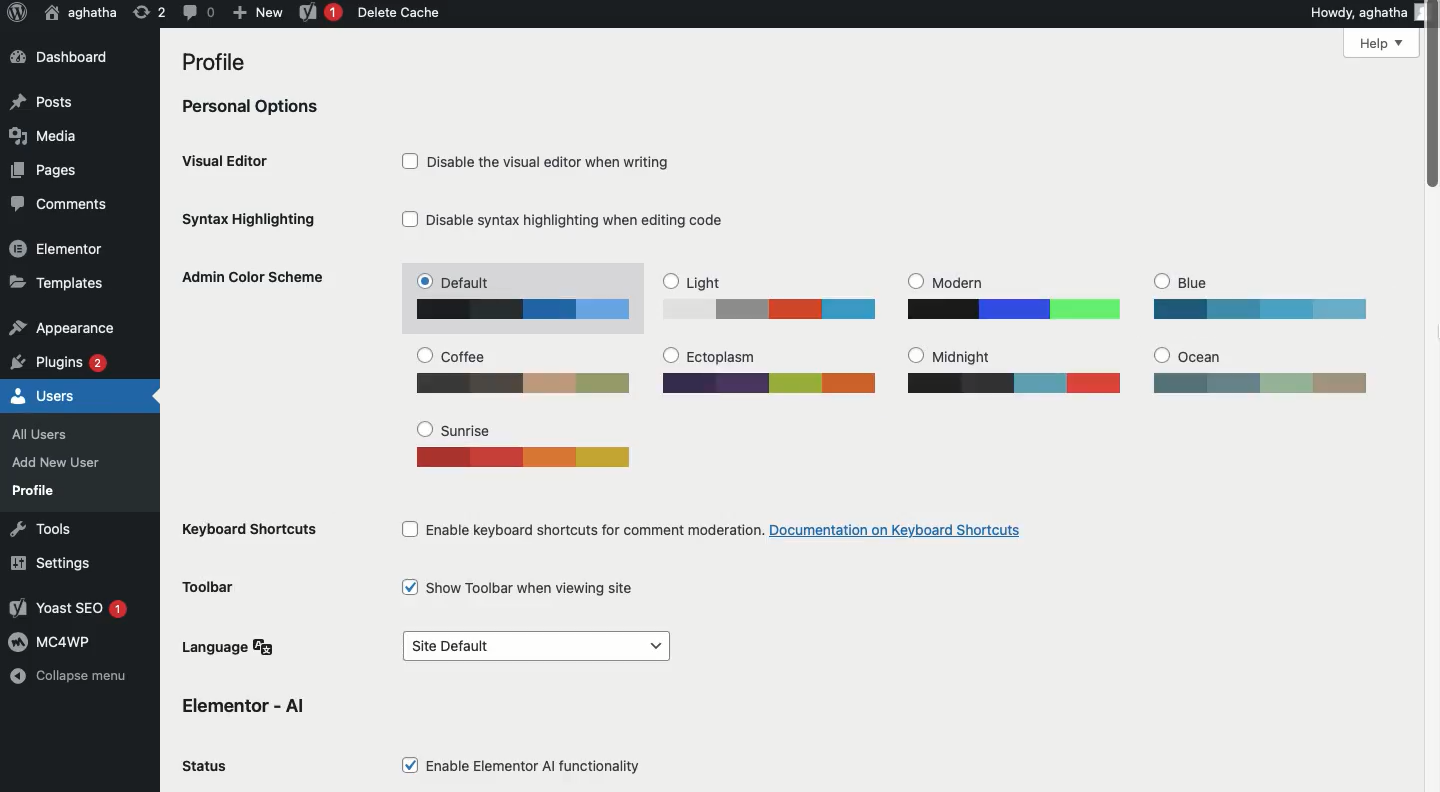 The height and width of the screenshot is (792, 1440). I want to click on Syntax highlighting , so click(258, 224).